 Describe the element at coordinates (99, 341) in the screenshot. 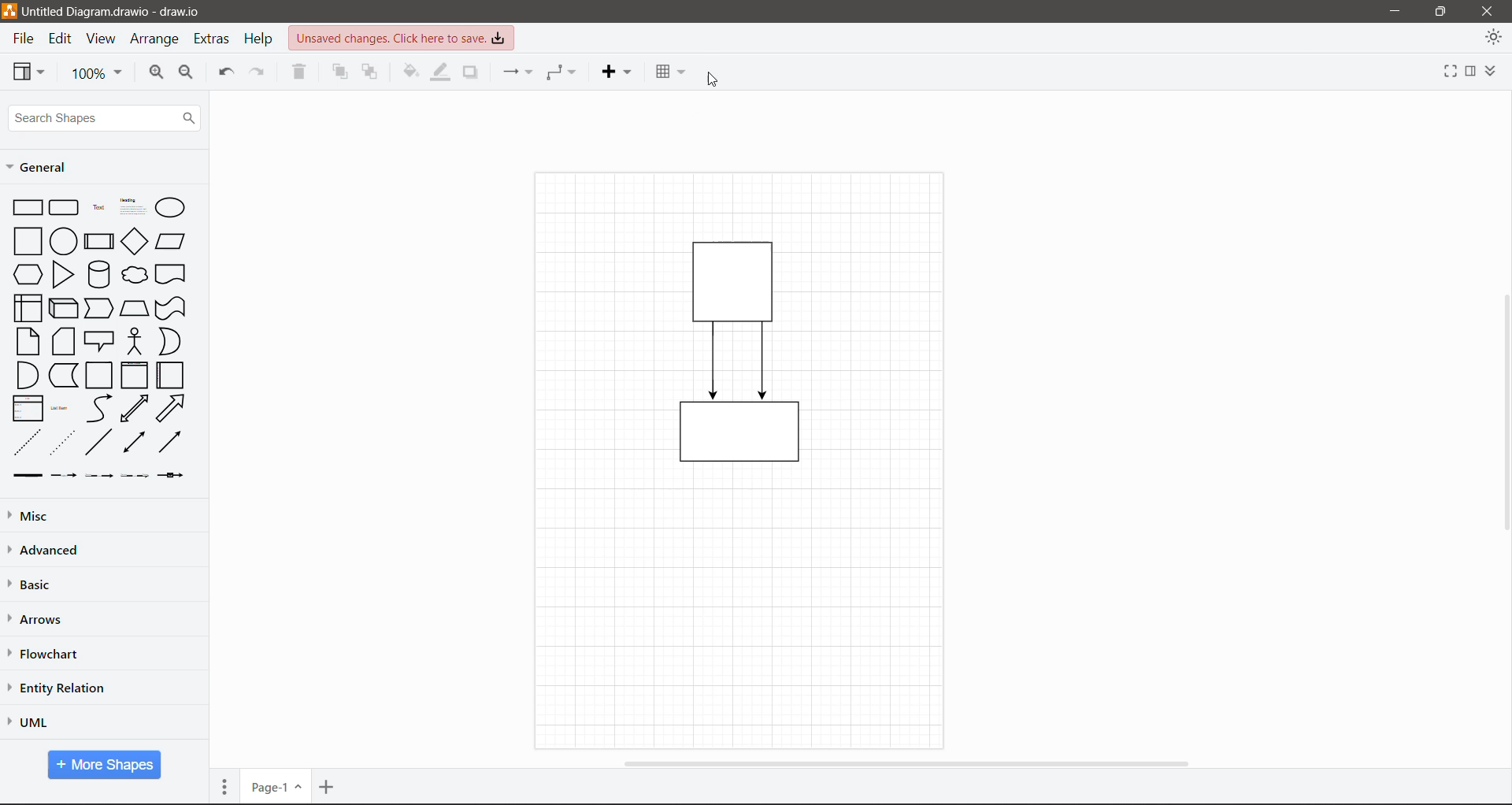

I see `Callout` at that location.